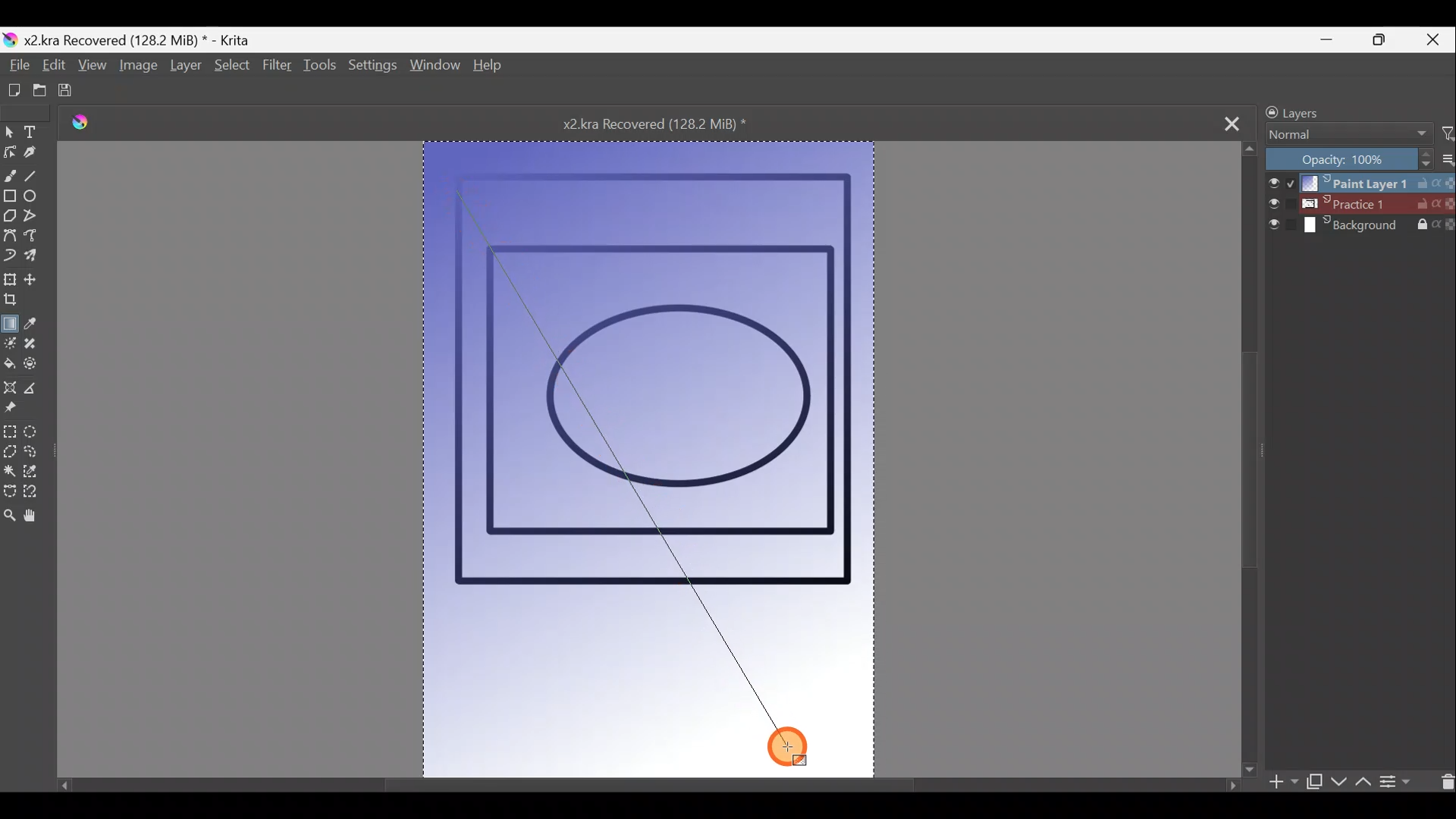  What do you see at coordinates (1436, 39) in the screenshot?
I see `Close` at bounding box center [1436, 39].